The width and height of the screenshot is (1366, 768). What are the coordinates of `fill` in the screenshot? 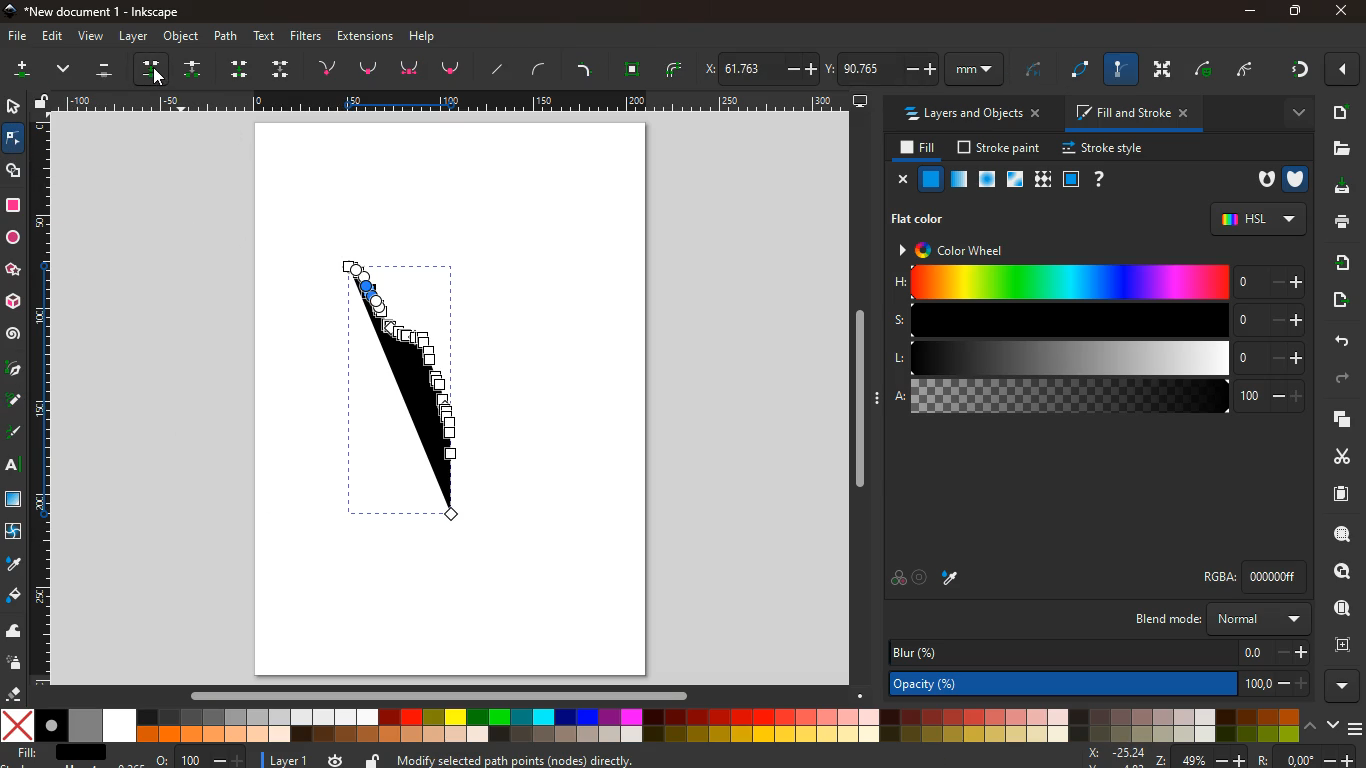 It's located at (914, 148).